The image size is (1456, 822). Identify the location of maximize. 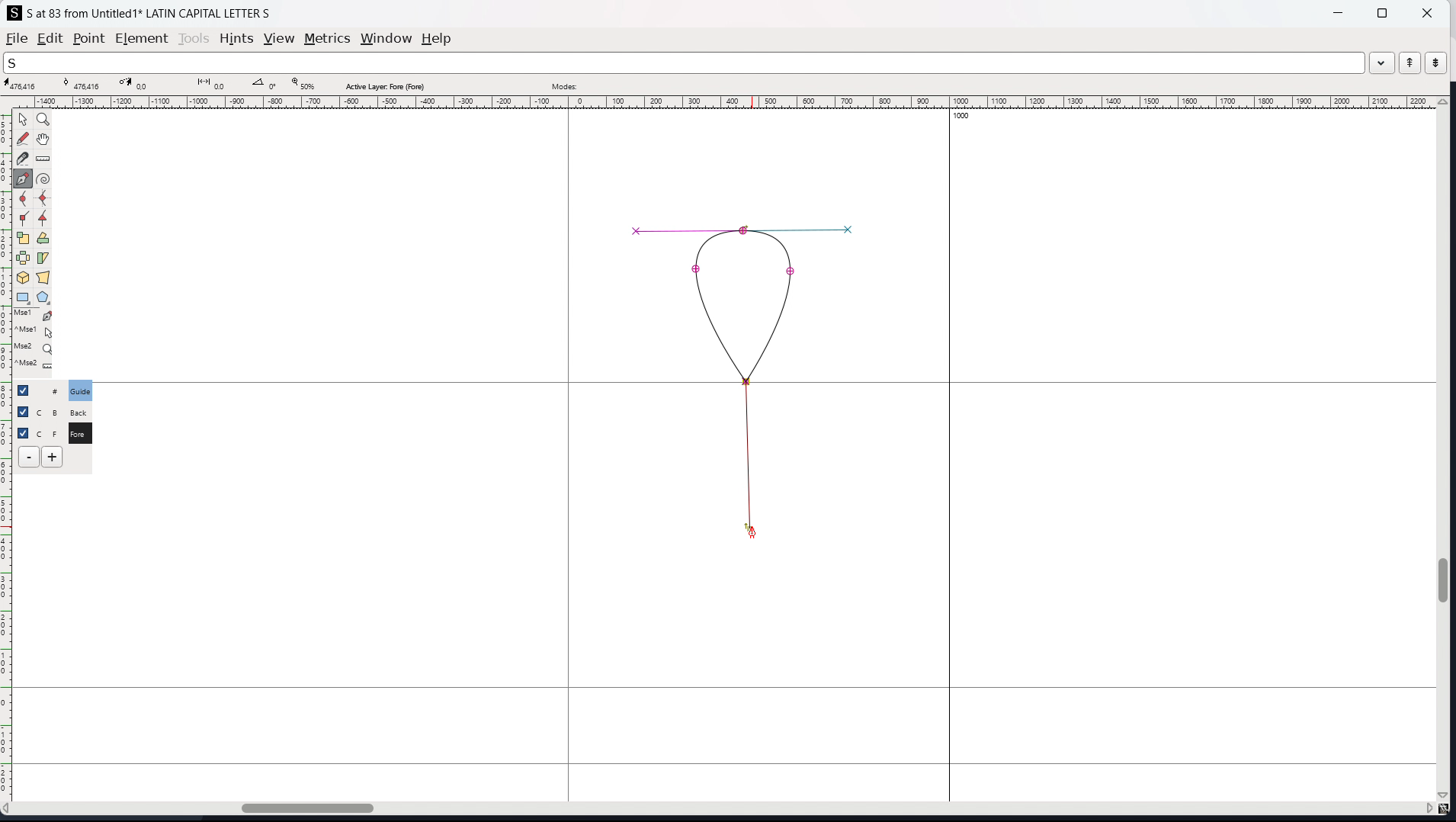
(1382, 12).